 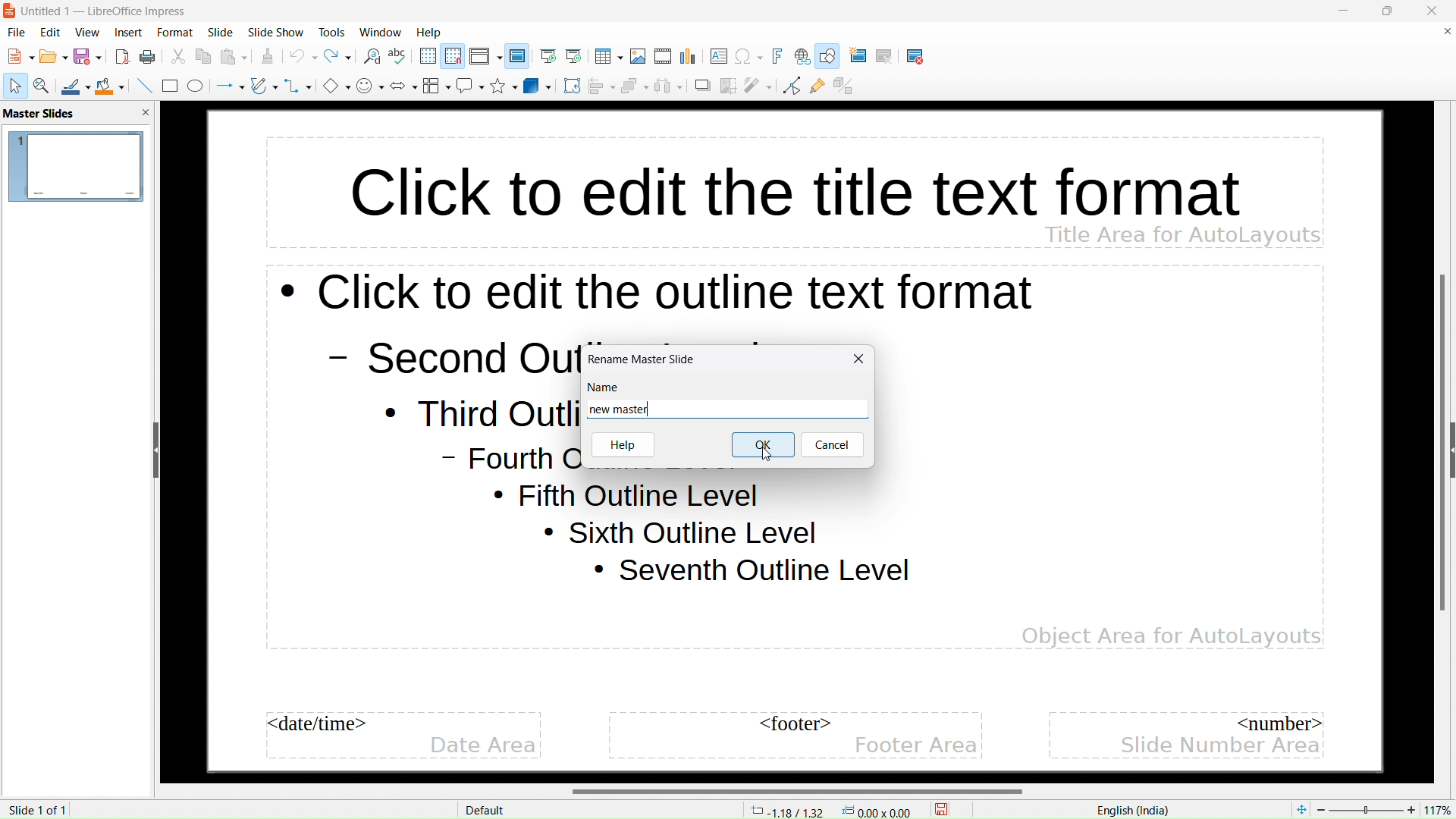 I want to click on connectors, so click(x=300, y=85).